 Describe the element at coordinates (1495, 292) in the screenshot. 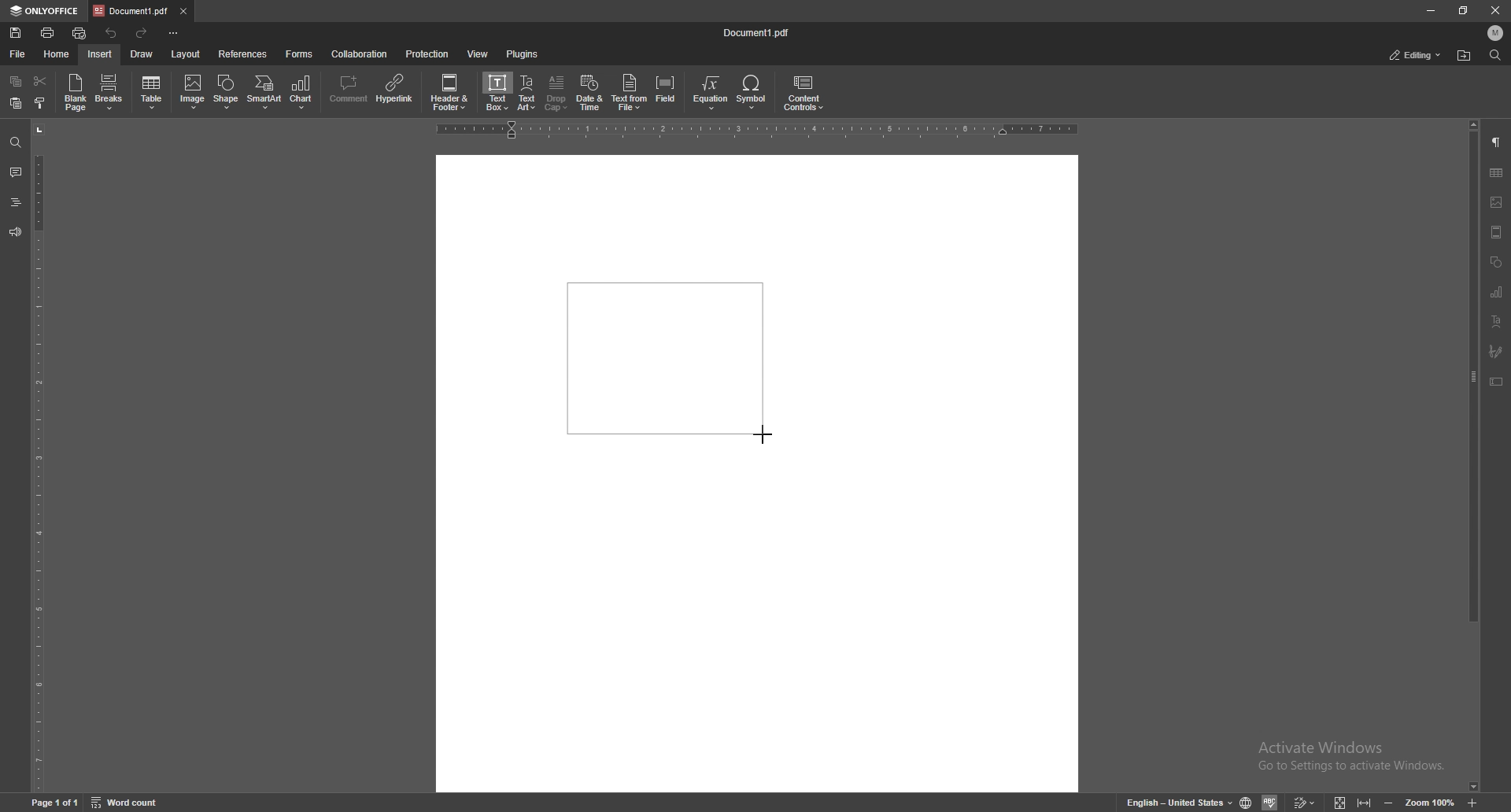

I see `chart` at that location.